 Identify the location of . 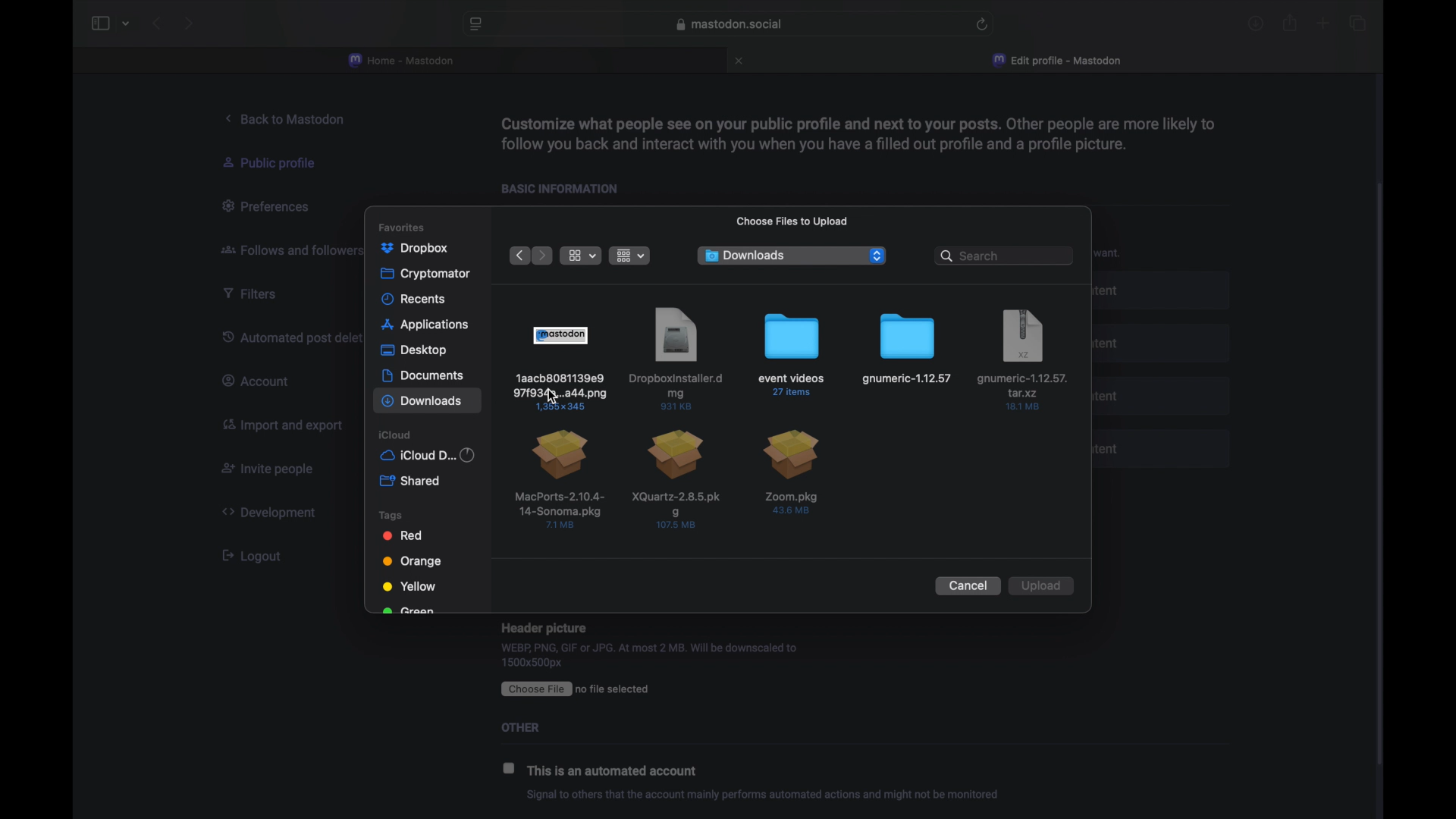
(532, 726).